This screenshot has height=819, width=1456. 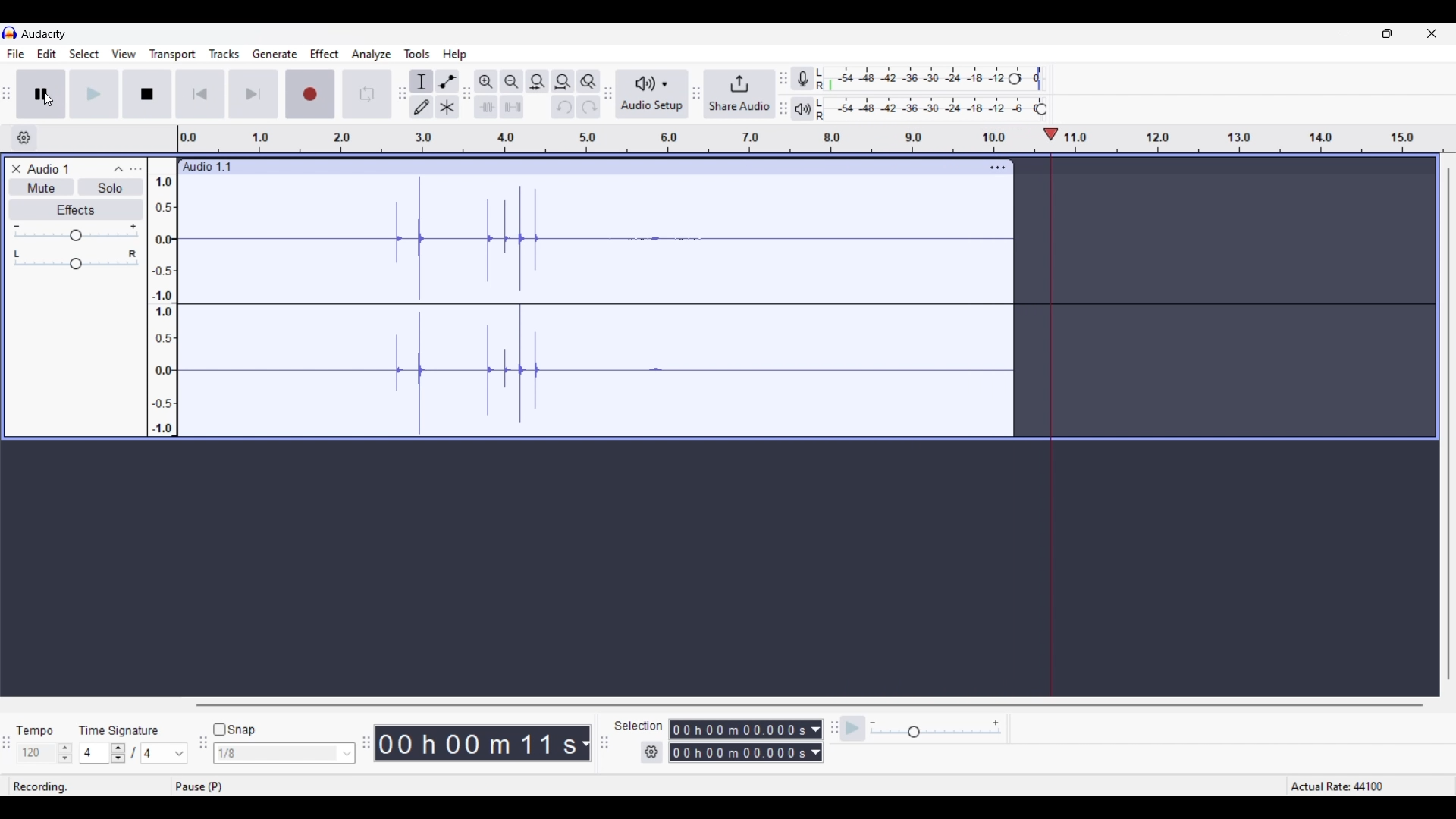 I want to click on Zoom in, so click(x=486, y=81).